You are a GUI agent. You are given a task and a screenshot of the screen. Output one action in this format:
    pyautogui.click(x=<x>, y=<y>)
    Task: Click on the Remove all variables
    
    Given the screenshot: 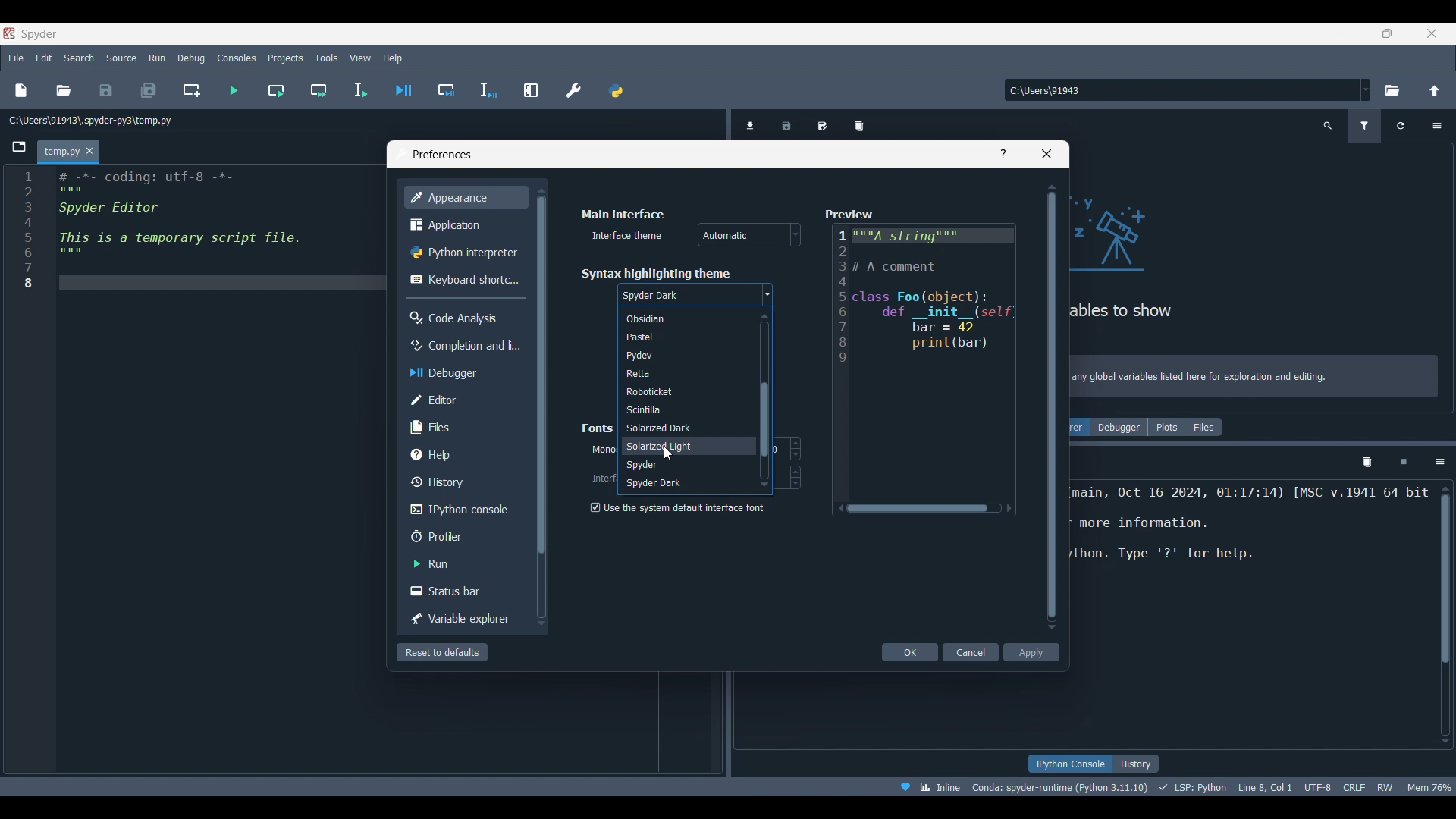 What is the action you would take?
    pyautogui.click(x=859, y=122)
    